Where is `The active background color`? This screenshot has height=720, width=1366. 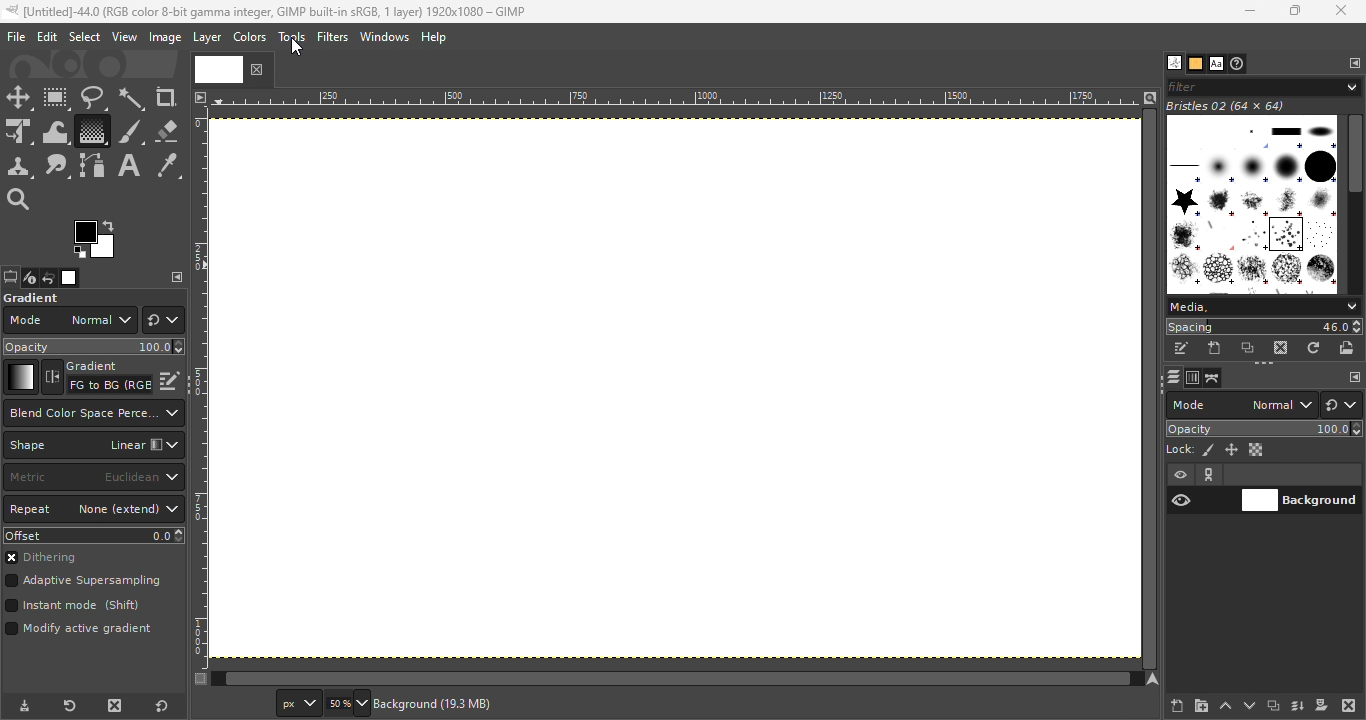
The active background color is located at coordinates (98, 240).